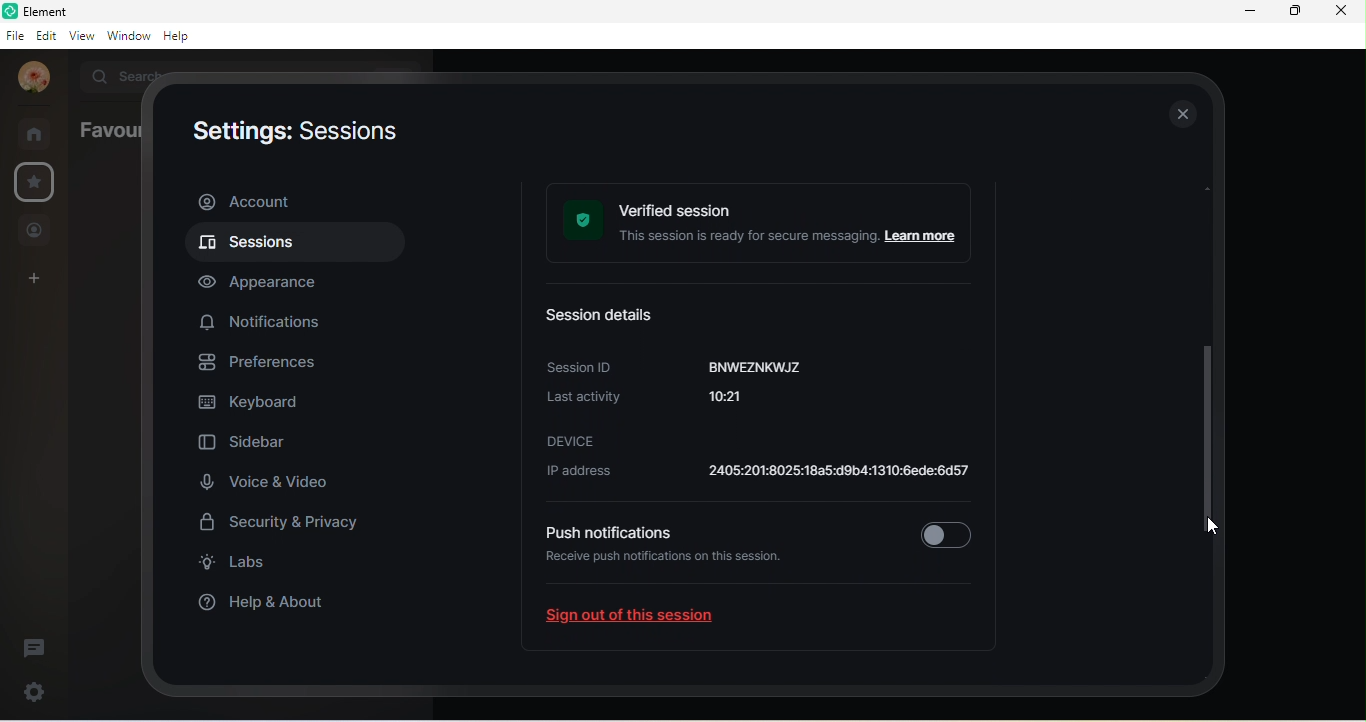 This screenshot has width=1366, height=722. I want to click on view, so click(82, 34).